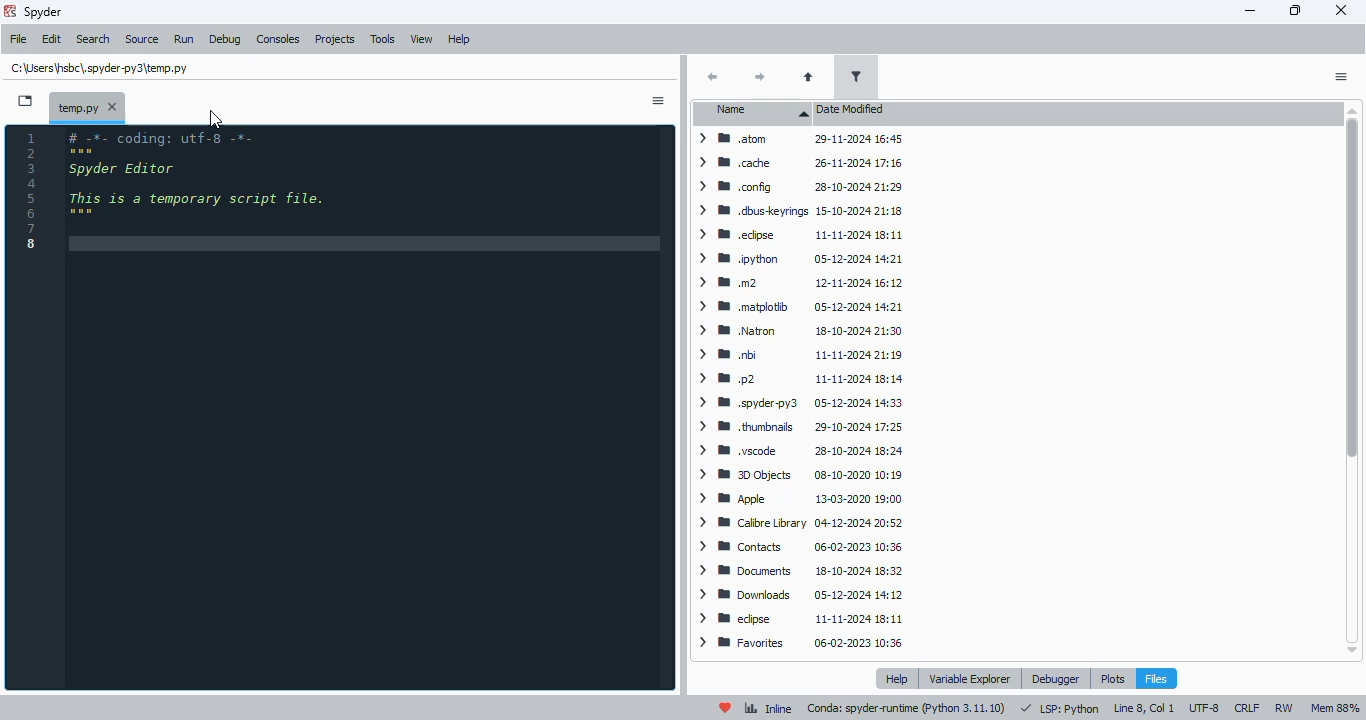 The image size is (1366, 720). Describe the element at coordinates (423, 40) in the screenshot. I see `view` at that location.